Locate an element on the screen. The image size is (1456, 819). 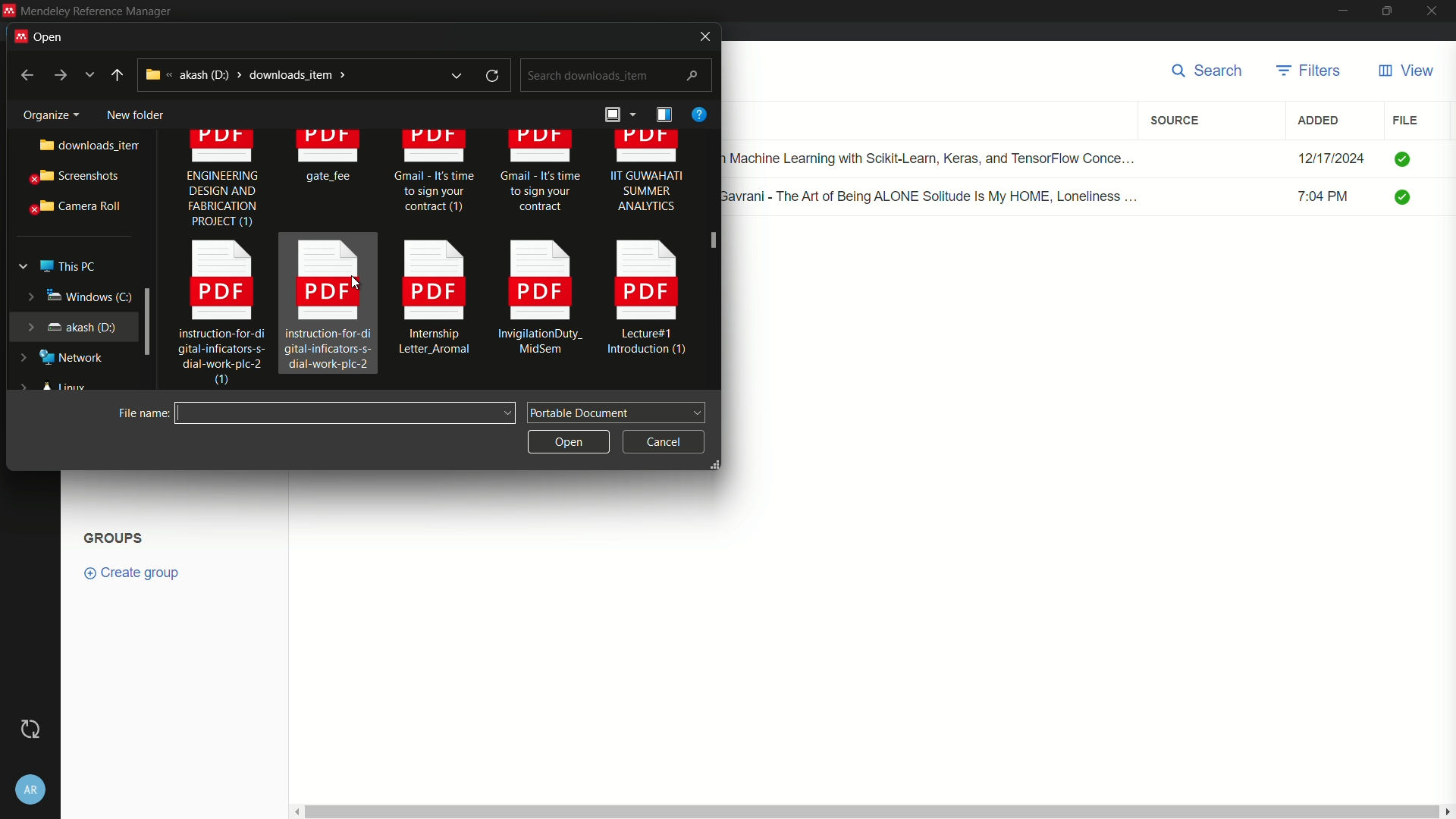
ENGINEERING
DESIGN AND

FABRICATION
PROJECT (1) is located at coordinates (222, 183).